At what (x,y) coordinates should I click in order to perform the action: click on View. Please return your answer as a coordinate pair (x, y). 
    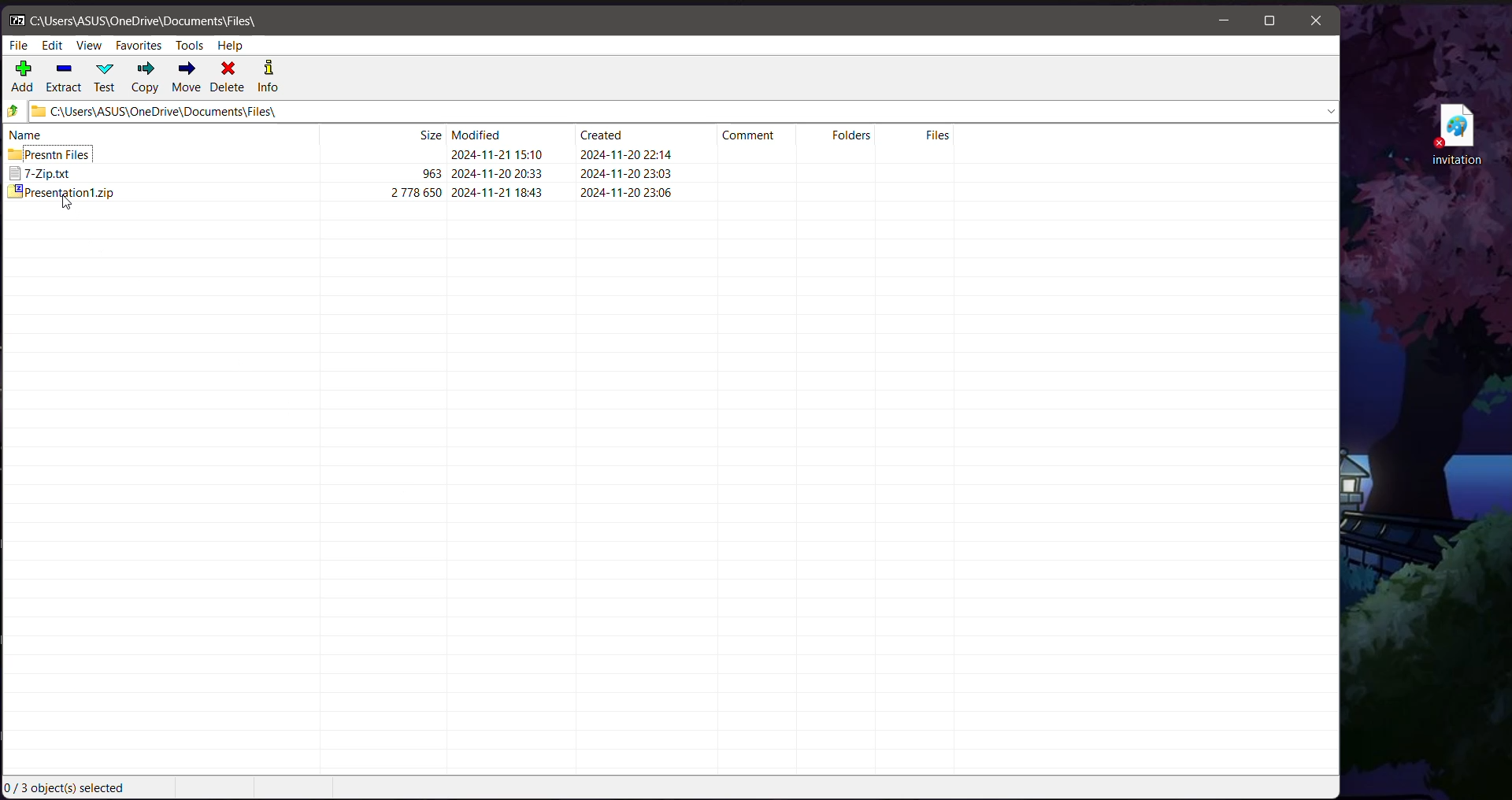
    Looking at the image, I should click on (91, 45).